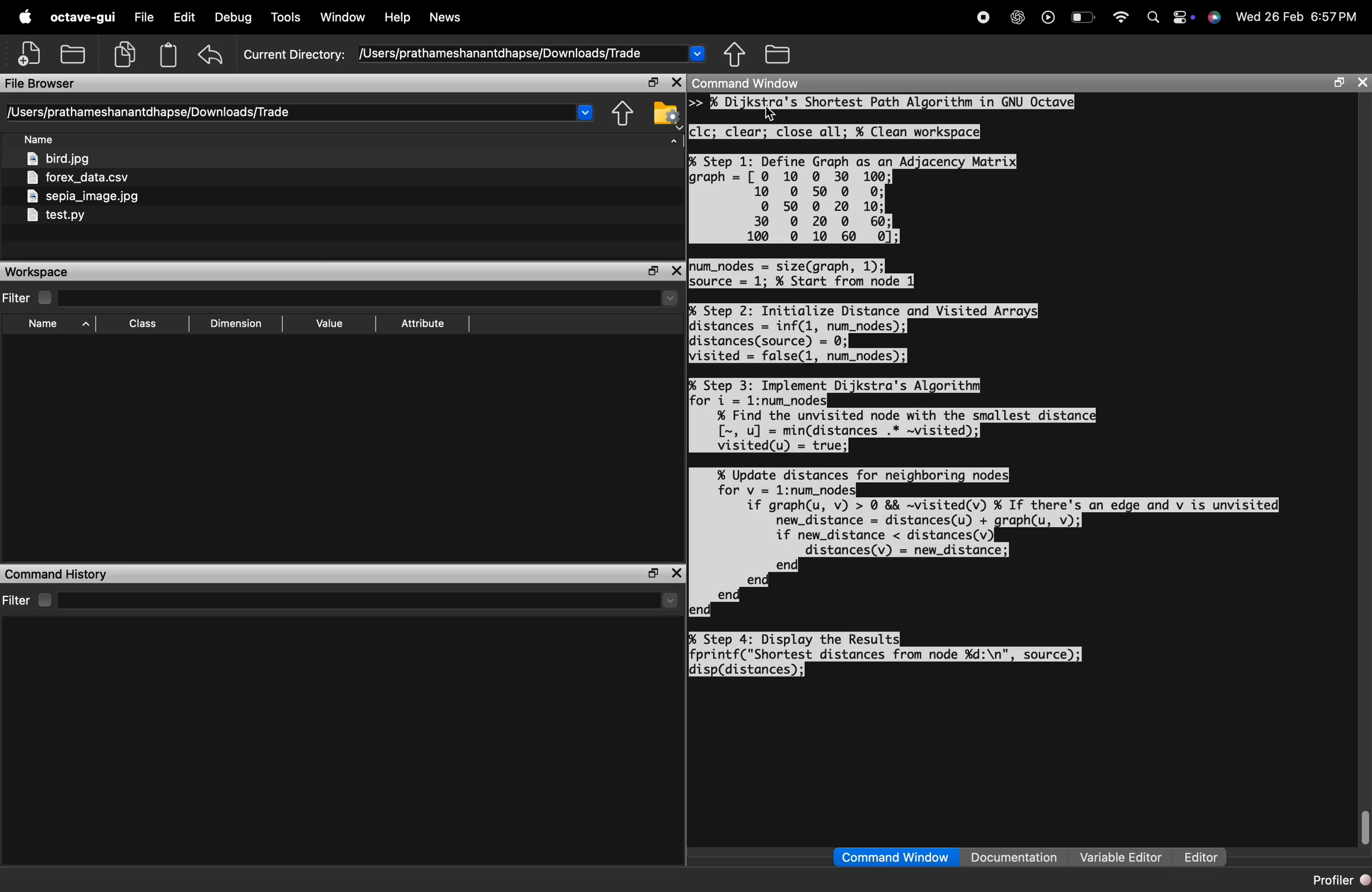  I want to click on sort by attribute, so click(426, 324).